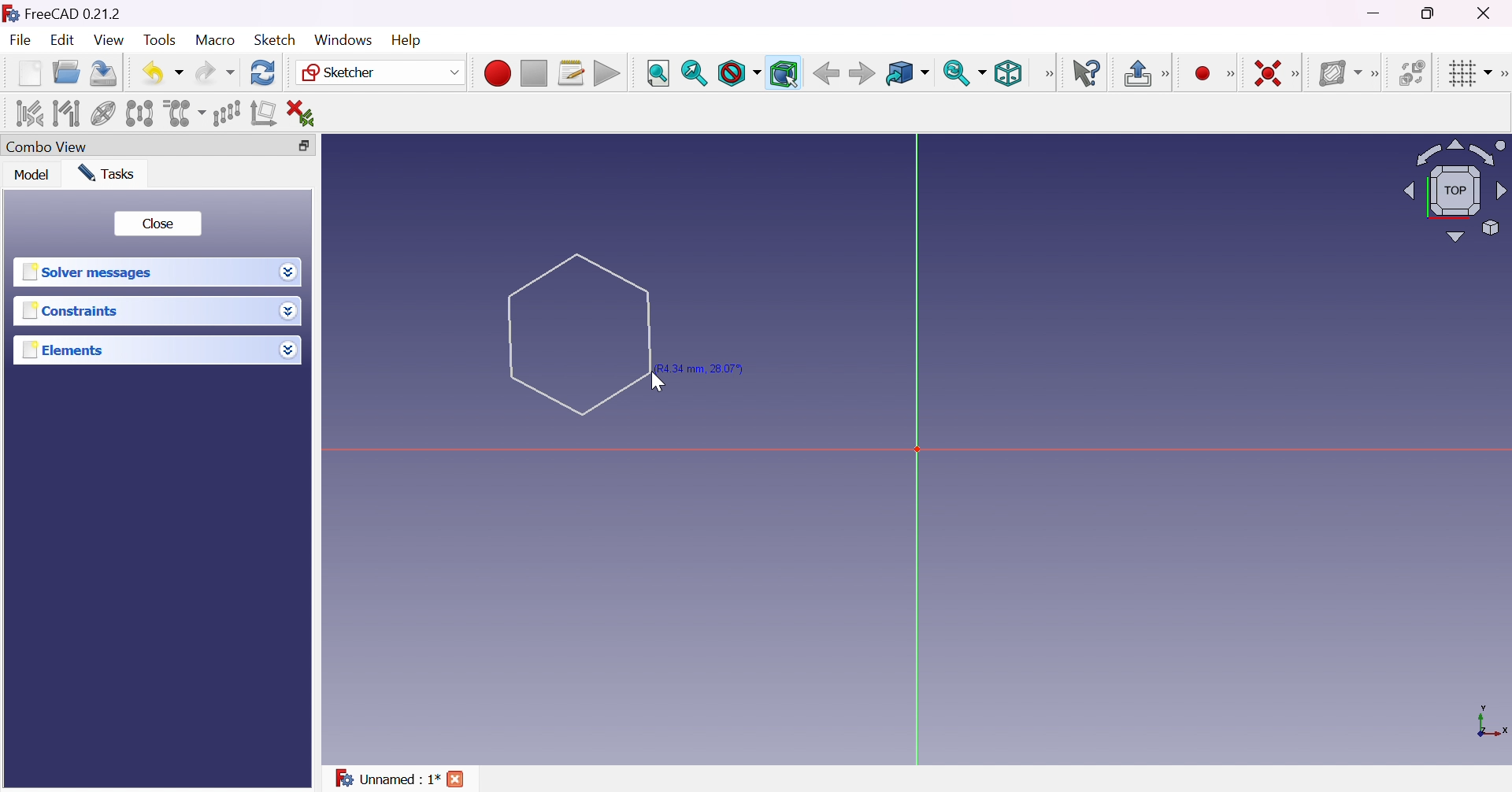 The height and width of the screenshot is (792, 1512). What do you see at coordinates (162, 41) in the screenshot?
I see `Tools` at bounding box center [162, 41].